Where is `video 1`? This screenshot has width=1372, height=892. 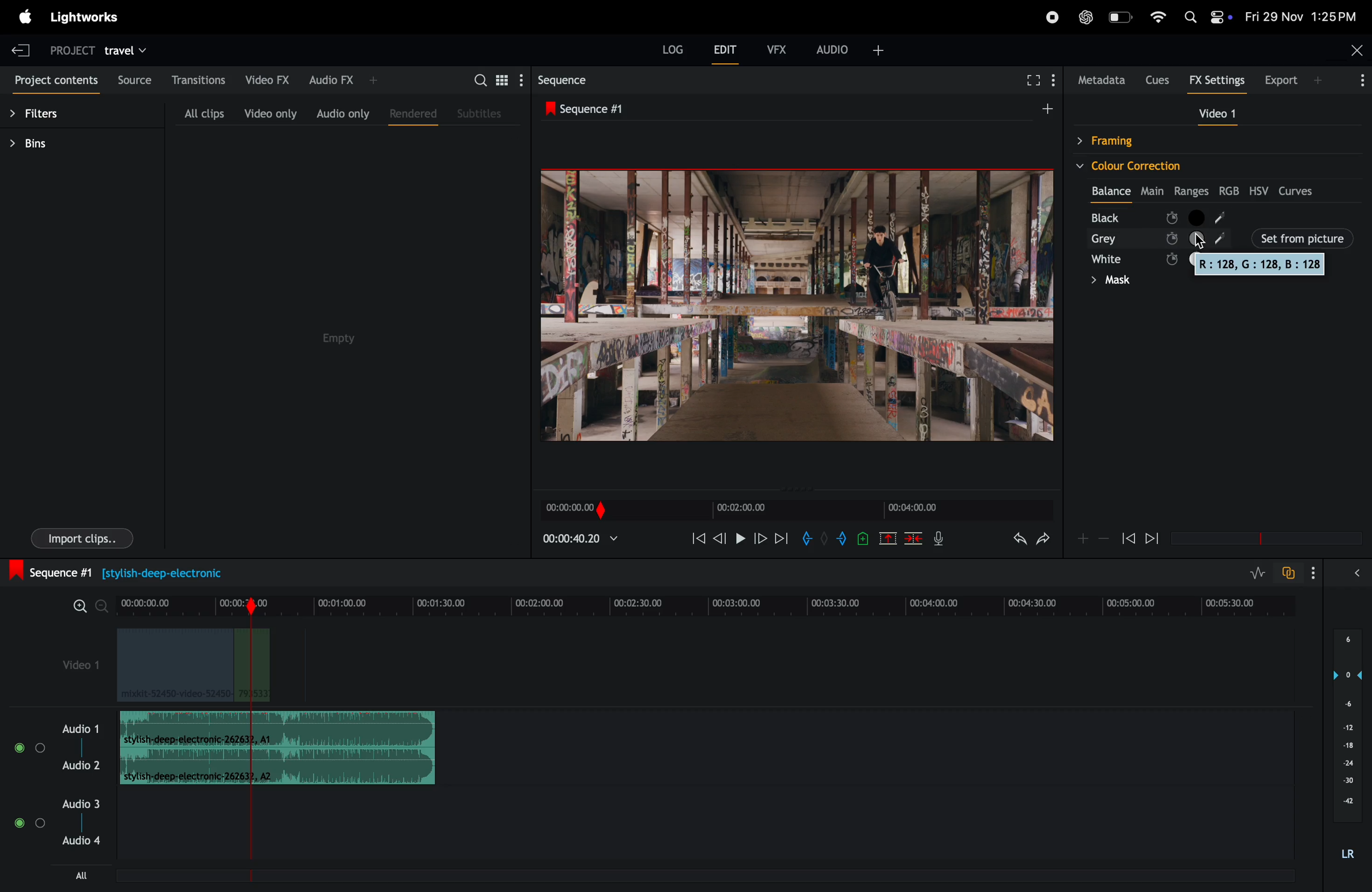
video 1 is located at coordinates (74, 662).